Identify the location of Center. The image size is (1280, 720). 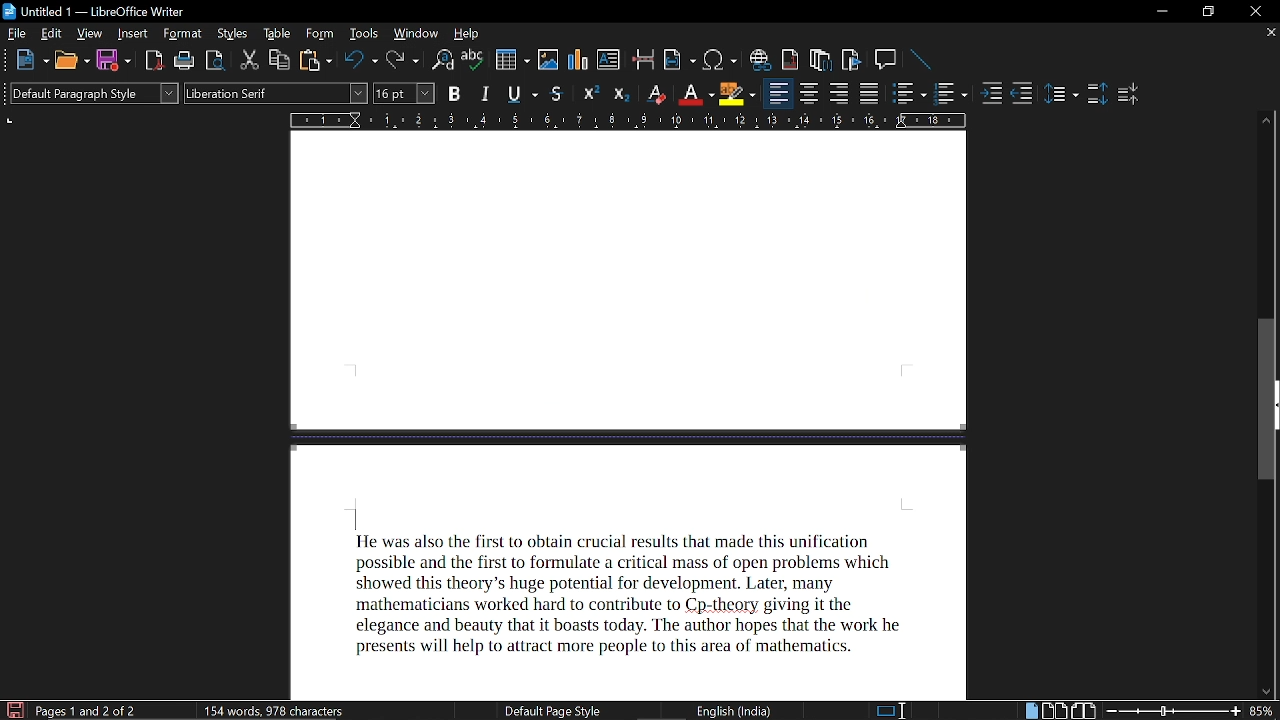
(810, 94).